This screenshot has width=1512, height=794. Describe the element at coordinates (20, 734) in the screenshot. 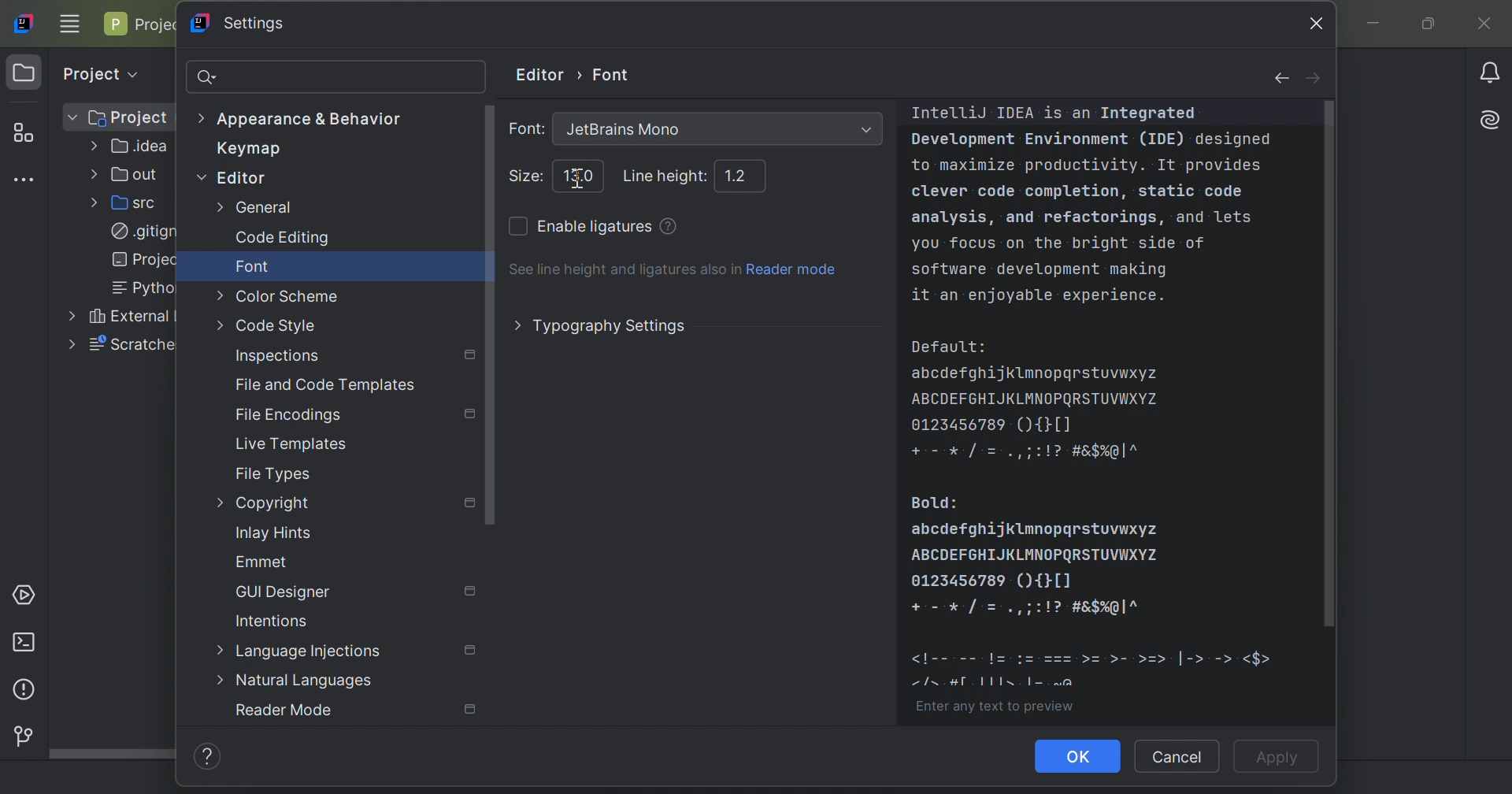

I see `Version control` at that location.